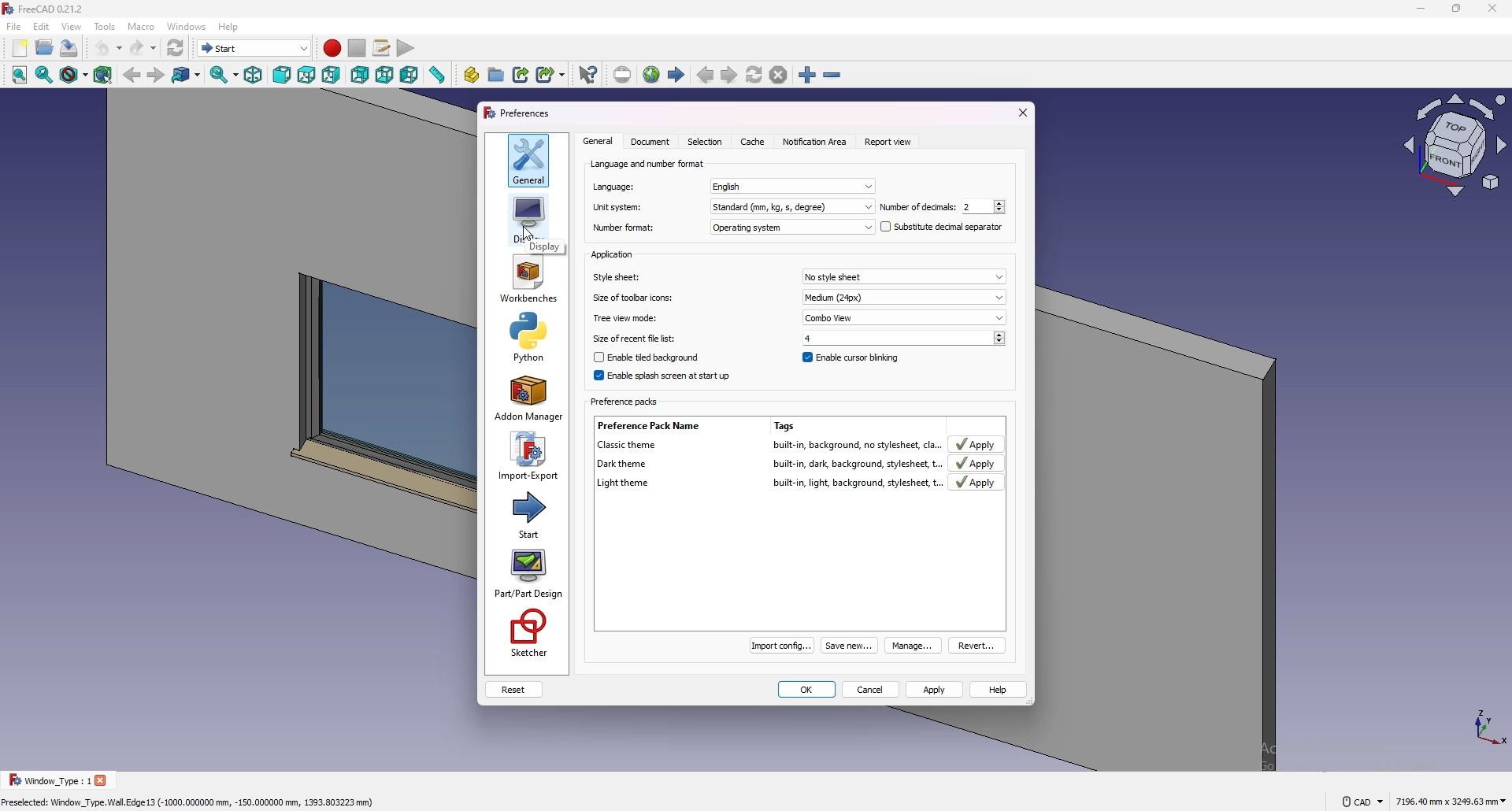  What do you see at coordinates (357, 48) in the screenshot?
I see `stop recording macros` at bounding box center [357, 48].